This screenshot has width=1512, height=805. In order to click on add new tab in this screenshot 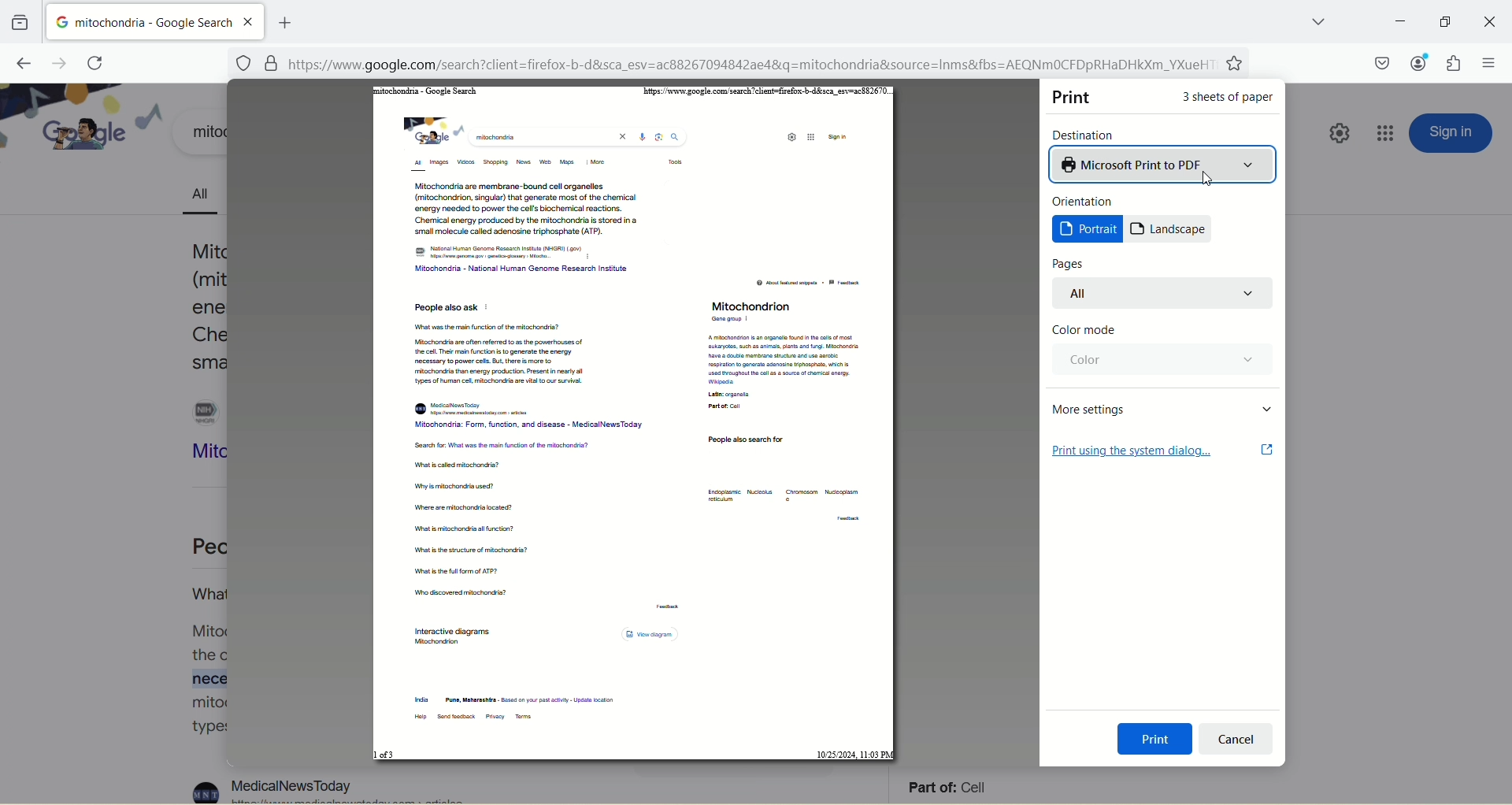, I will do `click(284, 20)`.